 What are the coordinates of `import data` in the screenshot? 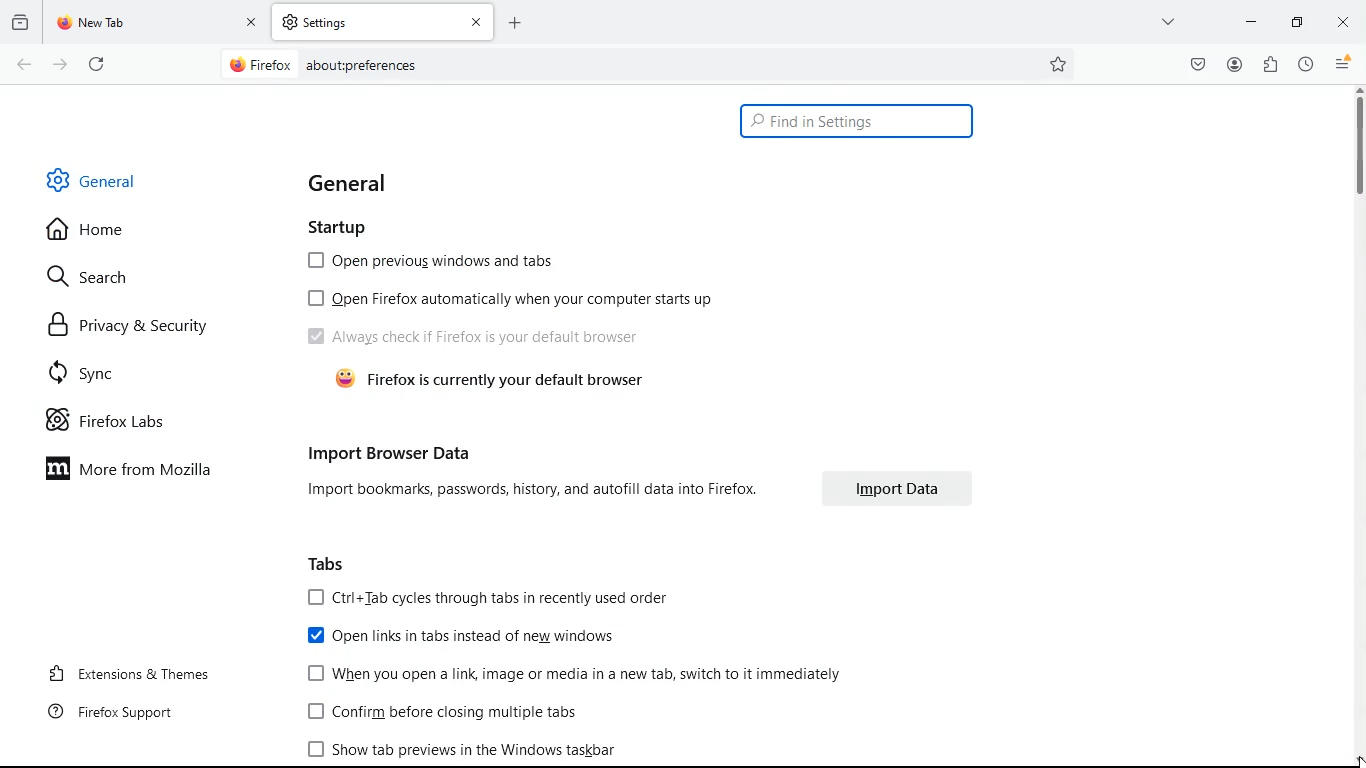 It's located at (897, 488).